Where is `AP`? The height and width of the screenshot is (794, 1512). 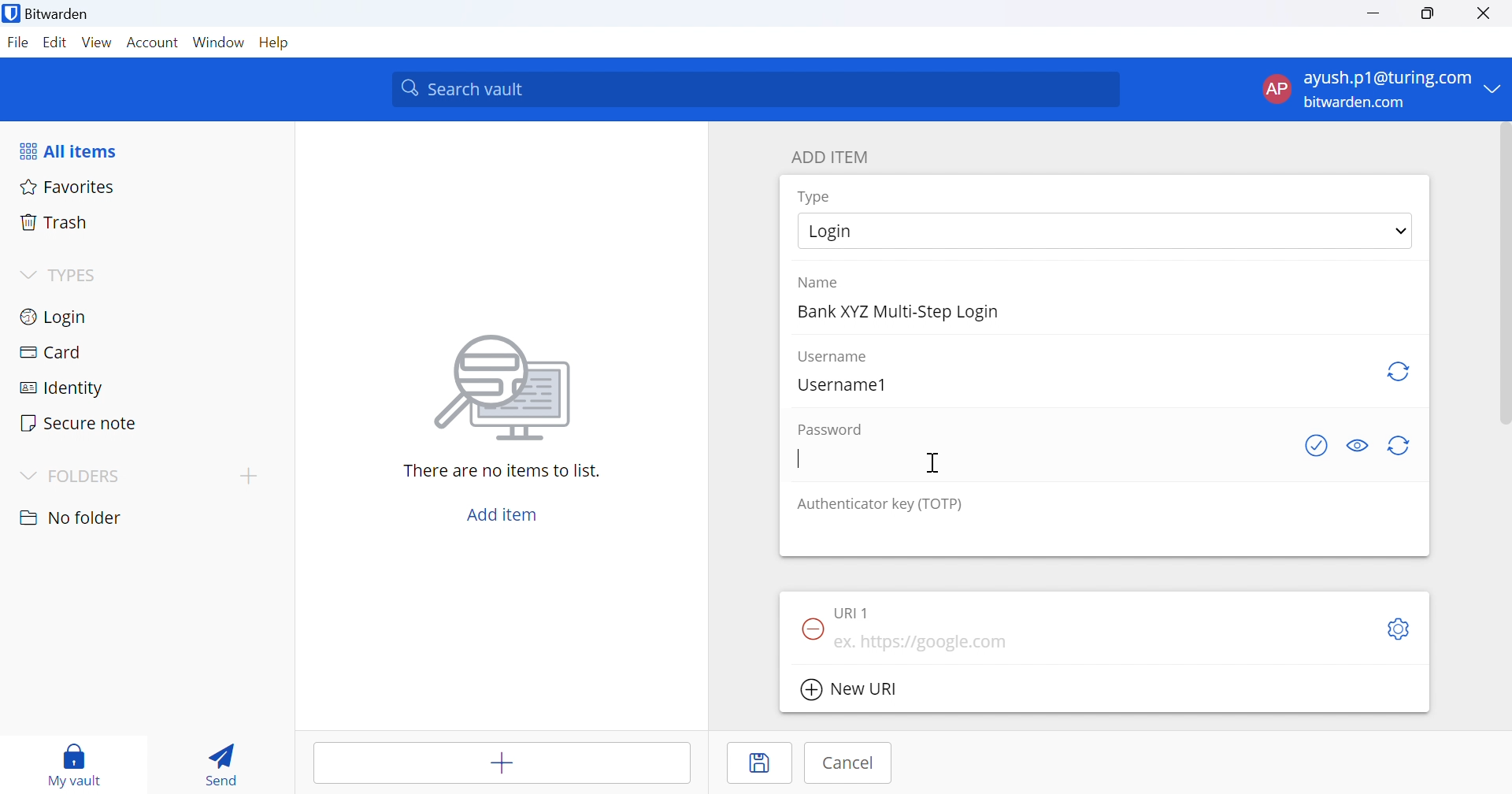
AP is located at coordinates (1275, 88).